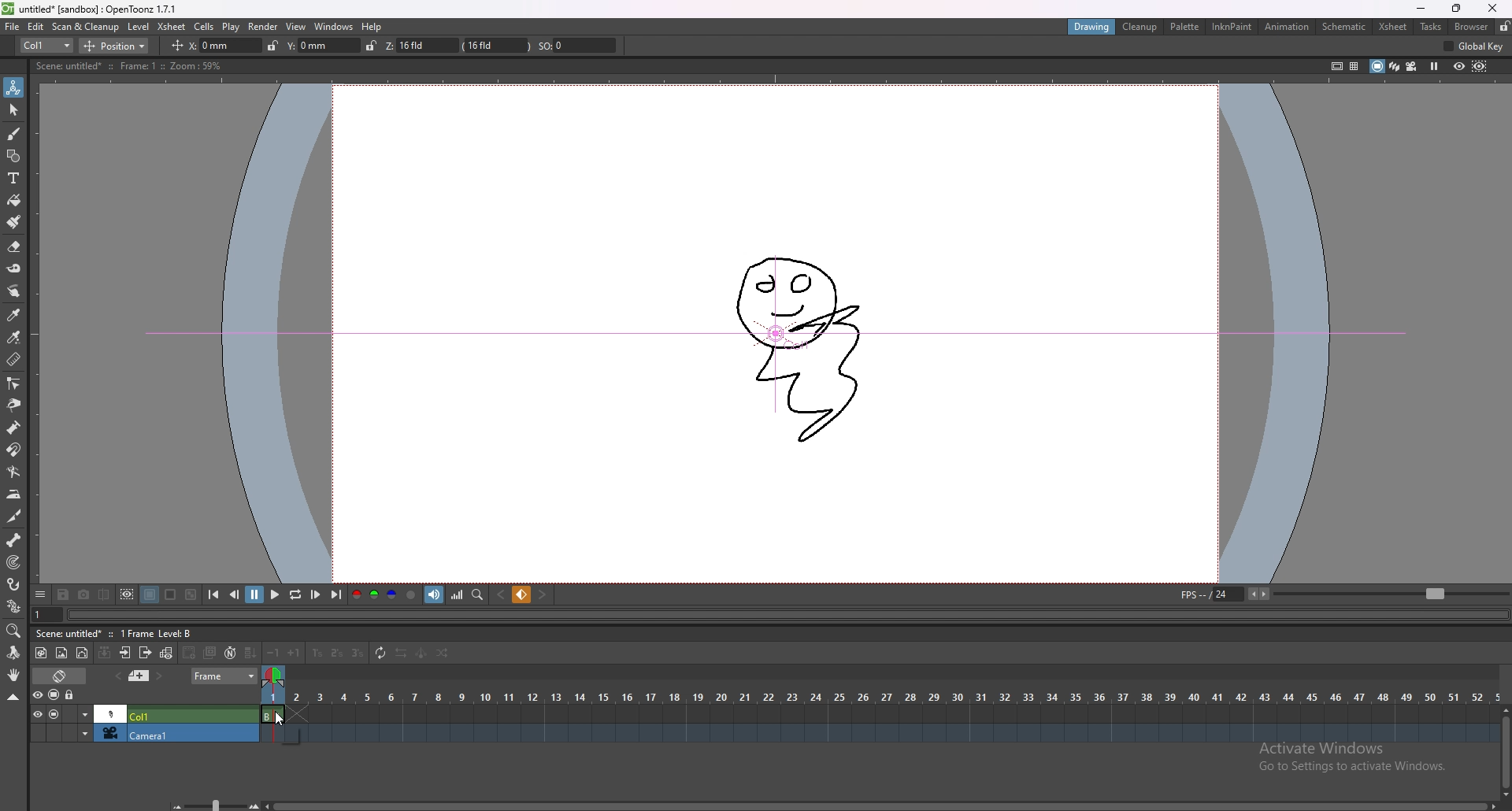  Describe the element at coordinates (373, 27) in the screenshot. I see `help` at that location.